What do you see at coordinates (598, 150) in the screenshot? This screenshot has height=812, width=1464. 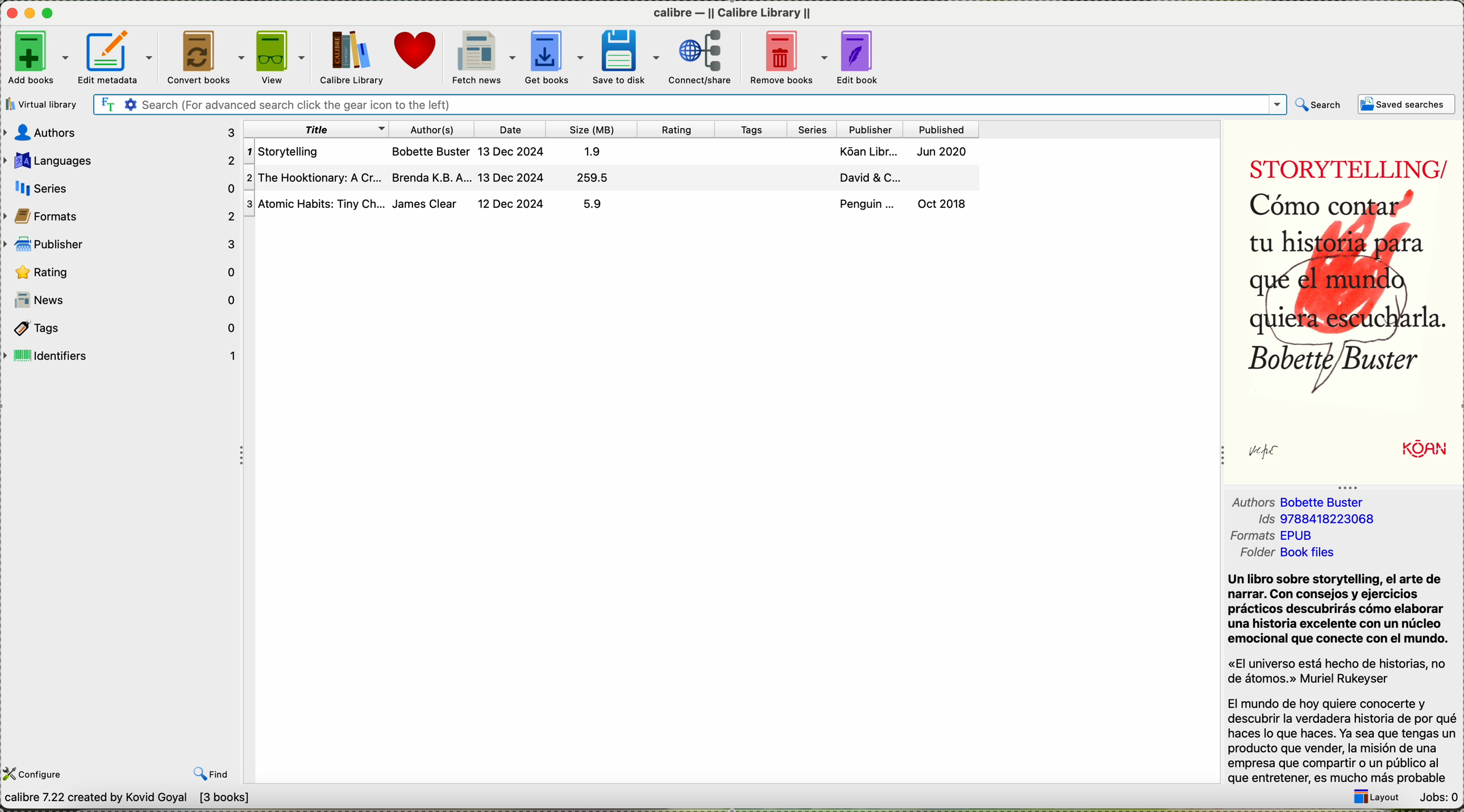 I see `1.9` at bounding box center [598, 150].